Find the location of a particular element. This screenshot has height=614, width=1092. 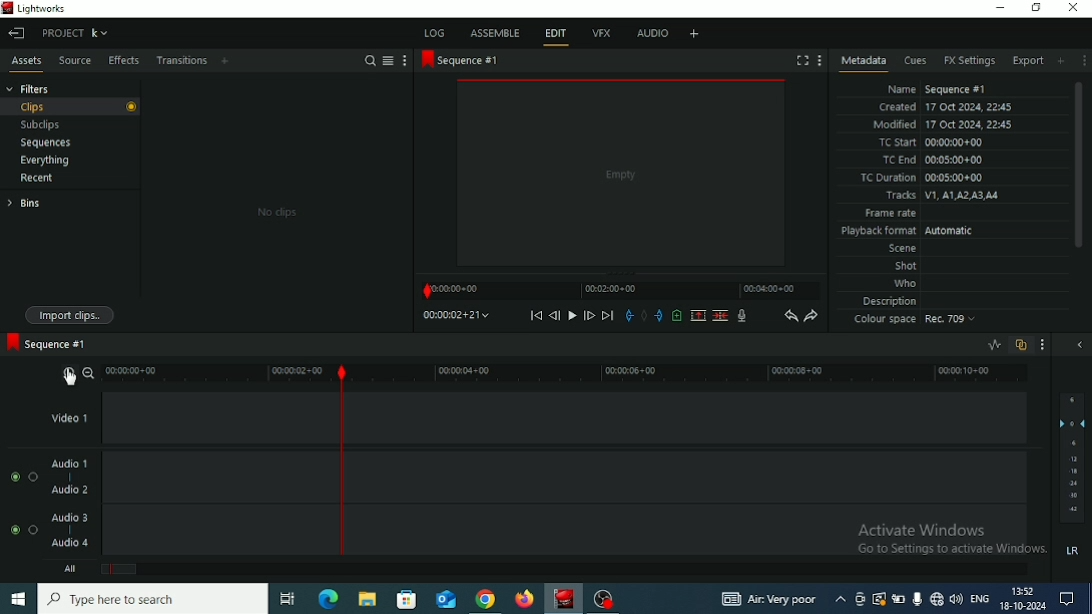

Exit the current project and return to the project browser is located at coordinates (18, 34).